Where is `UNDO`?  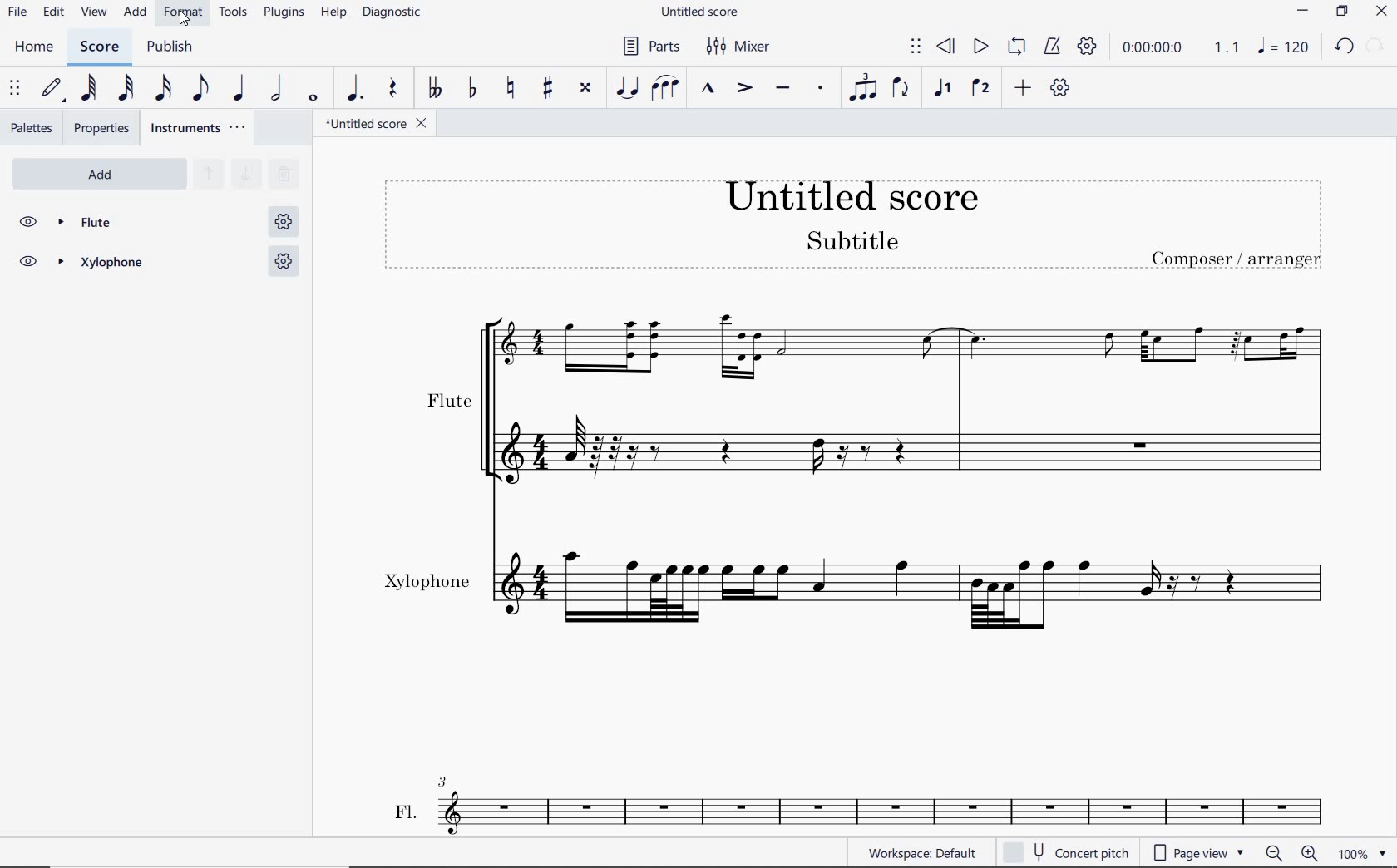
UNDO is located at coordinates (1343, 47).